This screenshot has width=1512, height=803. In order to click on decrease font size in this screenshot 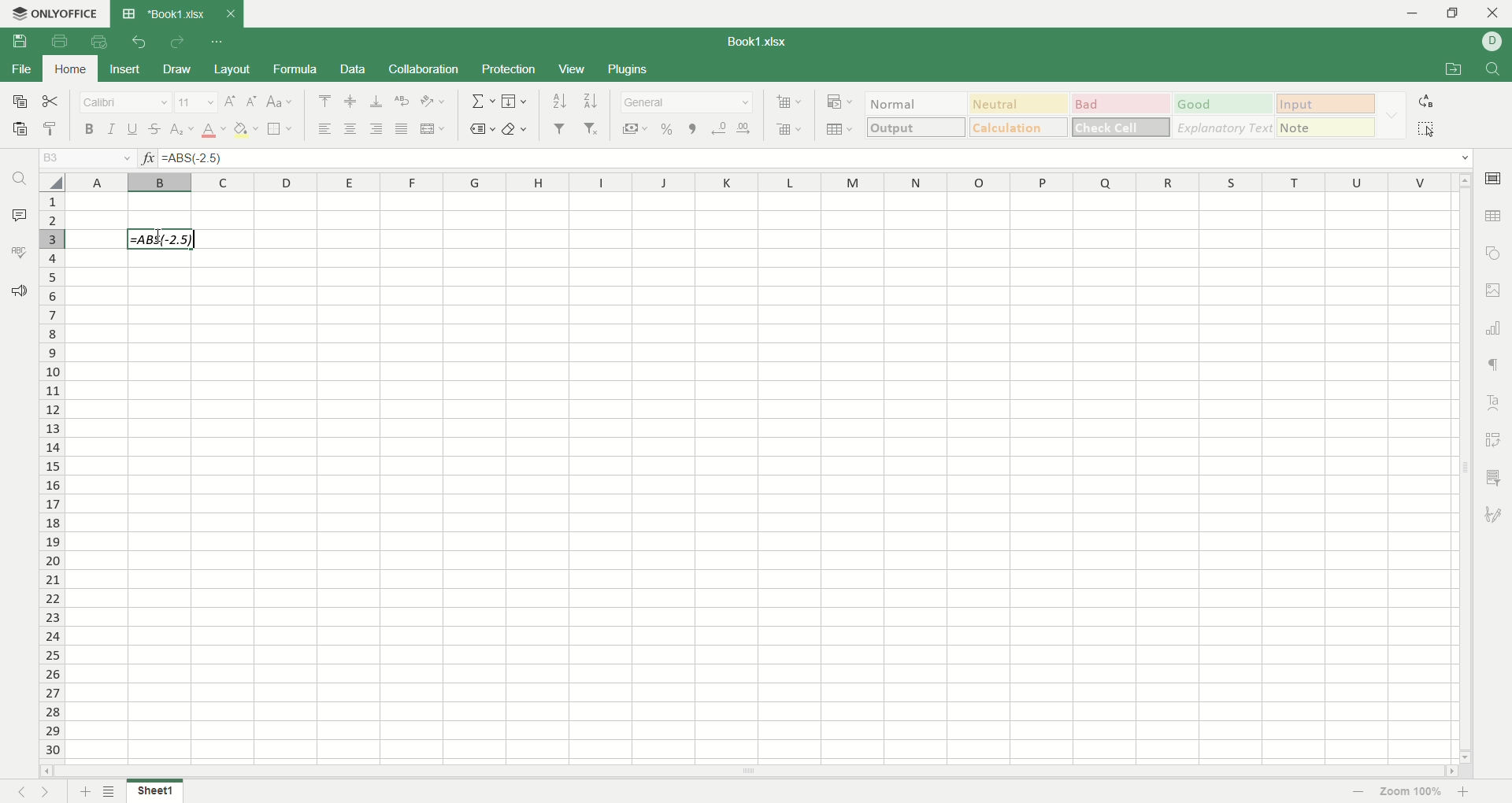, I will do `click(252, 102)`.